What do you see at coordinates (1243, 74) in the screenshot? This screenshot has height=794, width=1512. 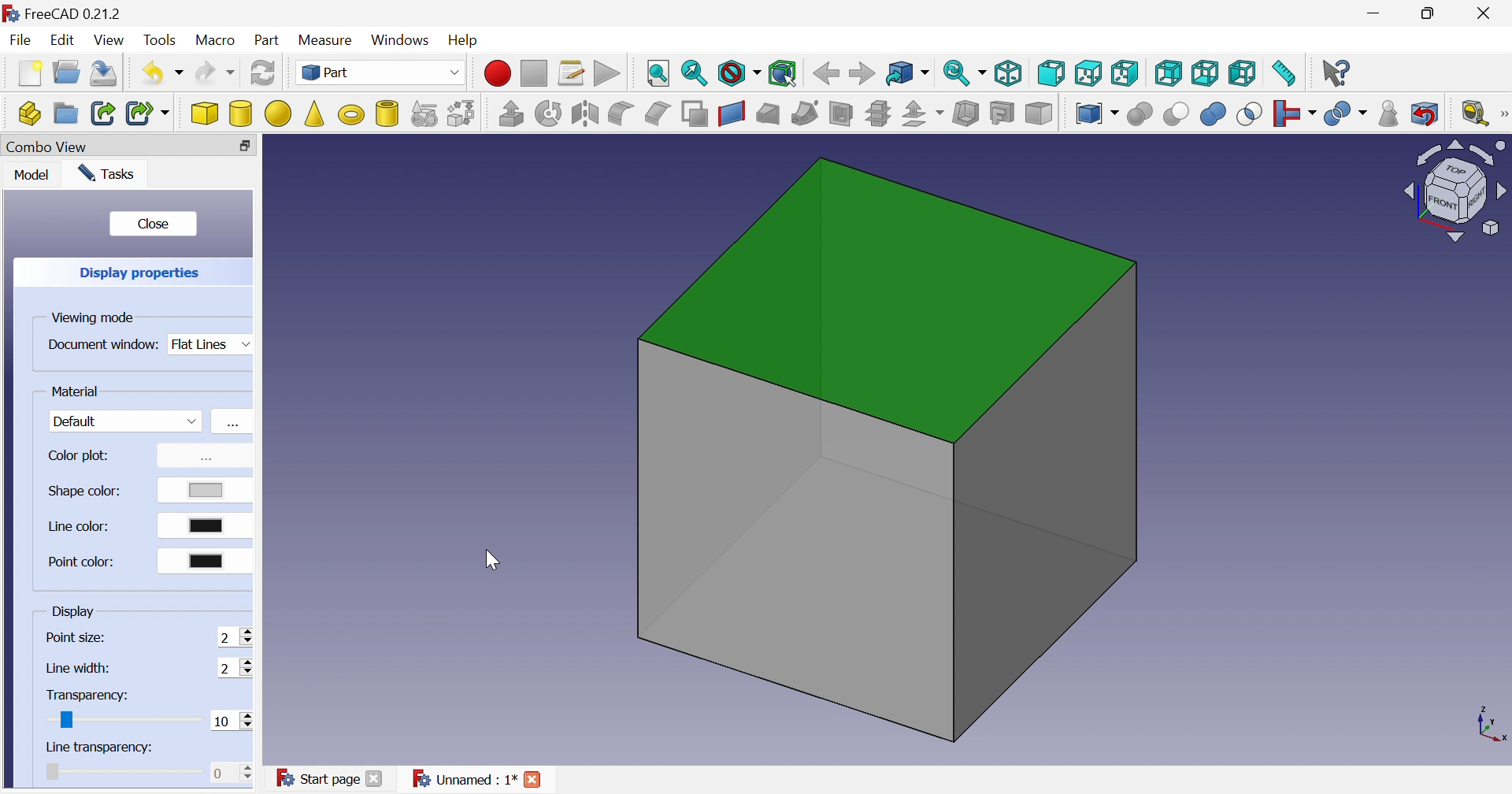 I see `Left` at bounding box center [1243, 74].